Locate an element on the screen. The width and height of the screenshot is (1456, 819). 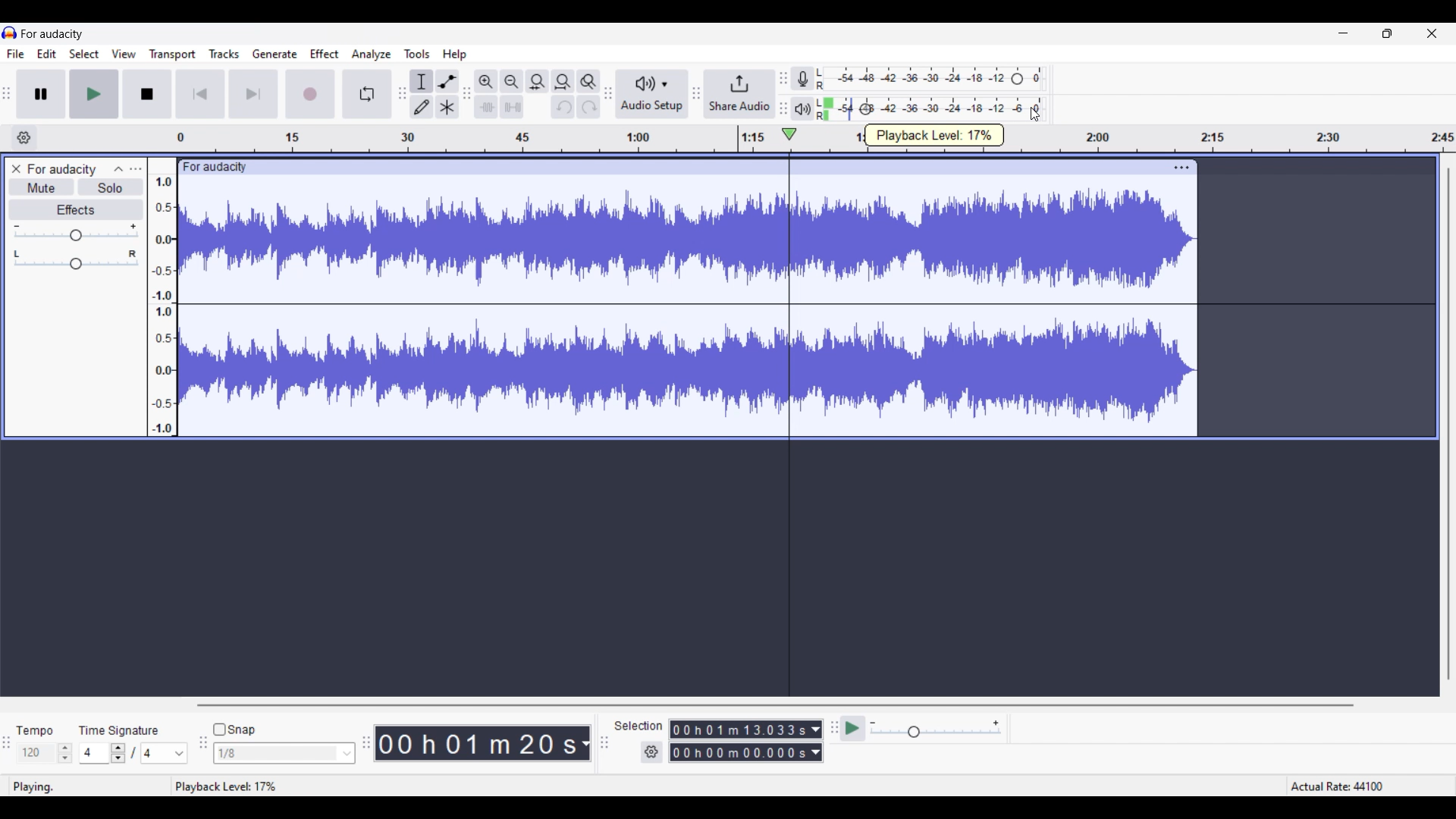
Track settings is located at coordinates (1181, 167).